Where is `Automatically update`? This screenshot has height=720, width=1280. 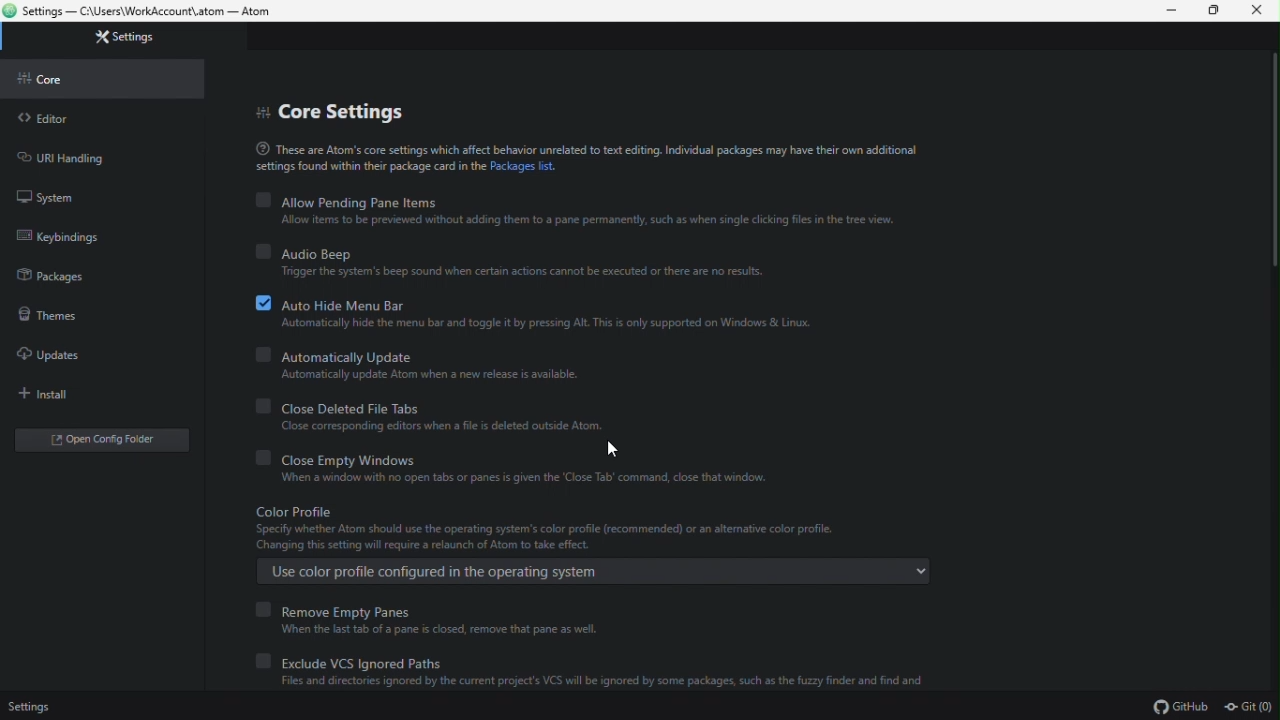 Automatically update is located at coordinates (563, 353).